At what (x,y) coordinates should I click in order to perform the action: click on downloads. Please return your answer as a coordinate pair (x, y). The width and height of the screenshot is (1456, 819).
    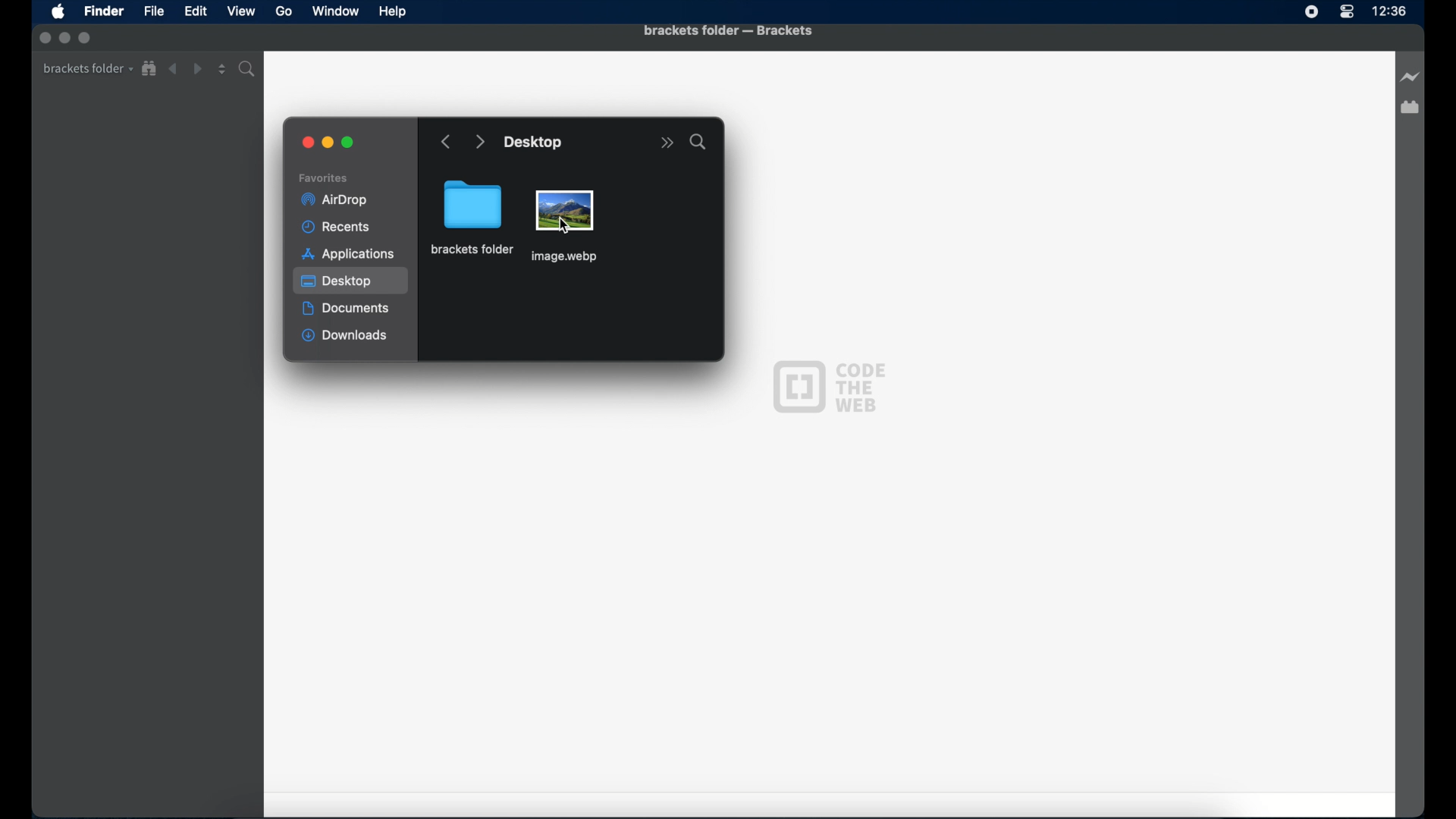
    Looking at the image, I should click on (345, 337).